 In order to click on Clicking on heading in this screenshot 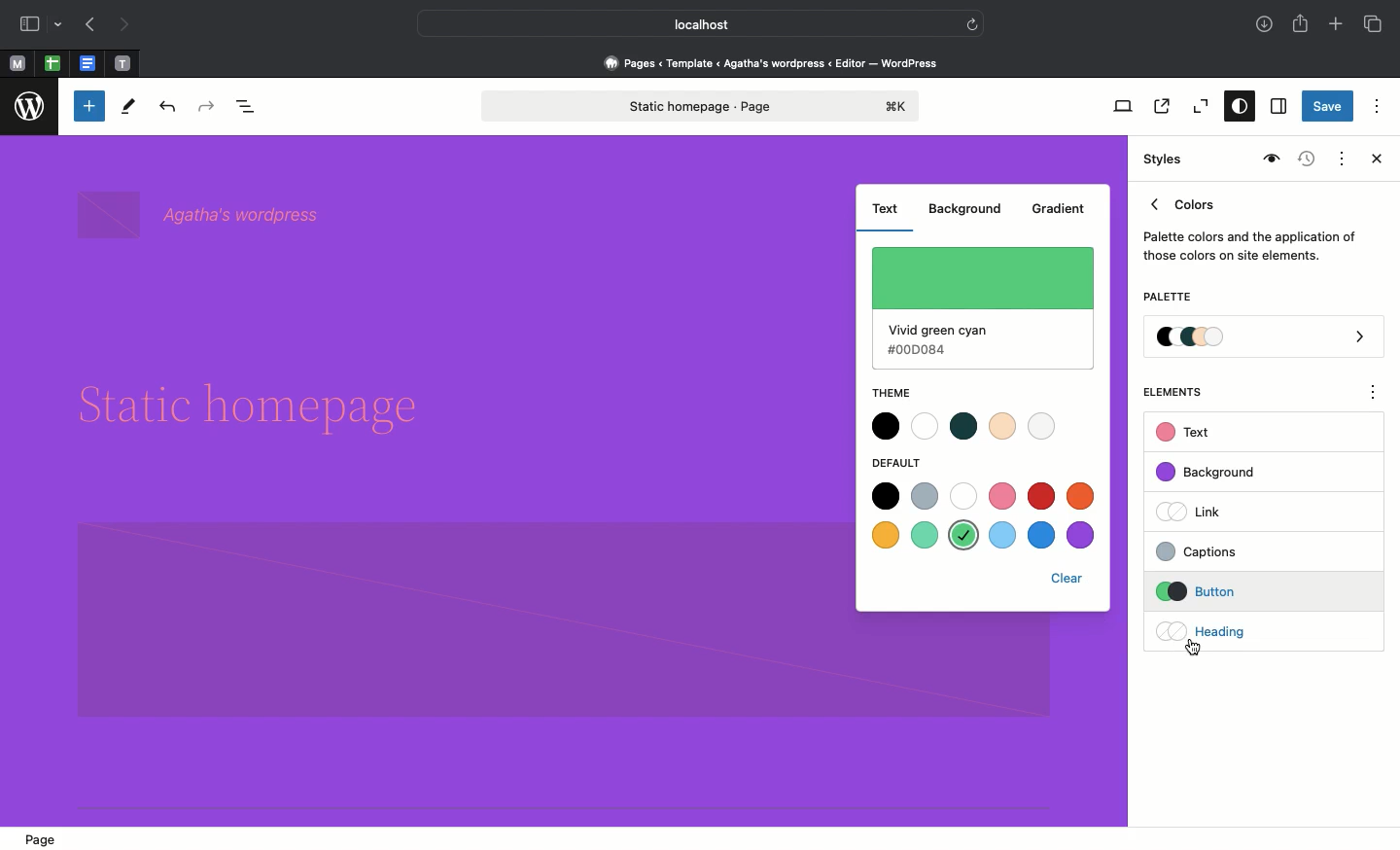, I will do `click(1195, 648)`.